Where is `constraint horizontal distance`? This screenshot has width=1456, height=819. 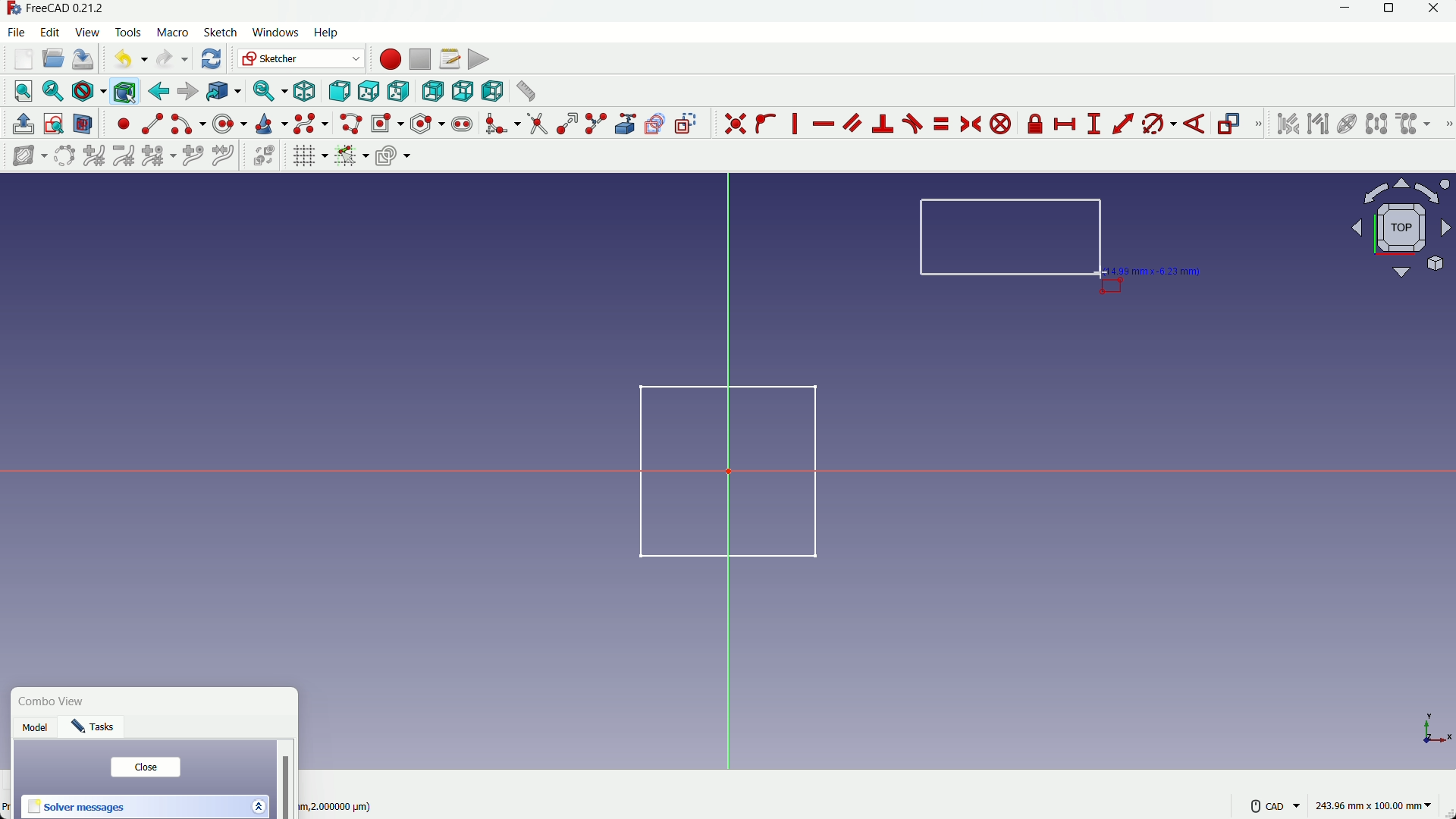 constraint horizontal distance is located at coordinates (1066, 124).